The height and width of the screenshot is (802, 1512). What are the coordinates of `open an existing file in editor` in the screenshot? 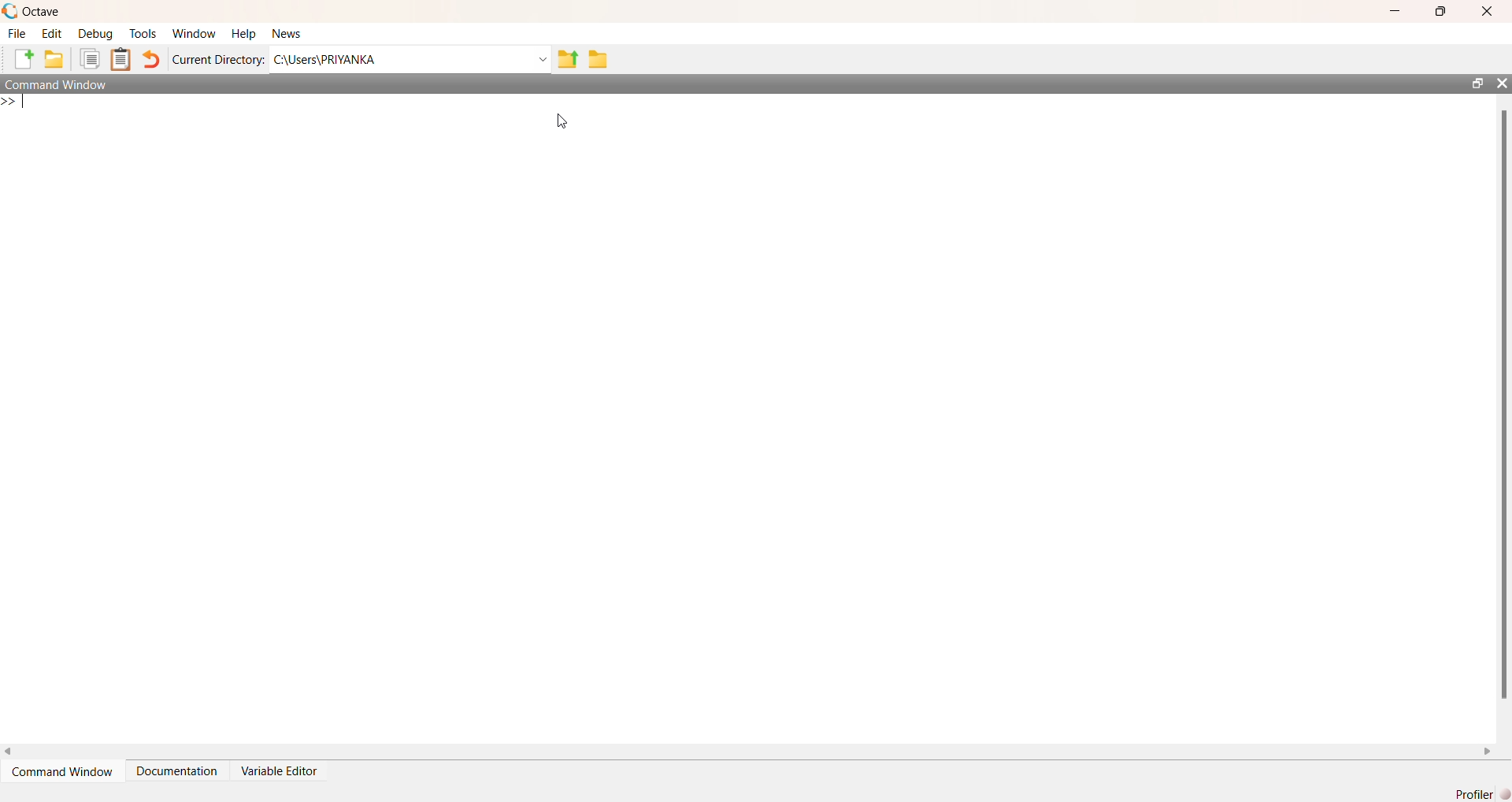 It's located at (57, 61).